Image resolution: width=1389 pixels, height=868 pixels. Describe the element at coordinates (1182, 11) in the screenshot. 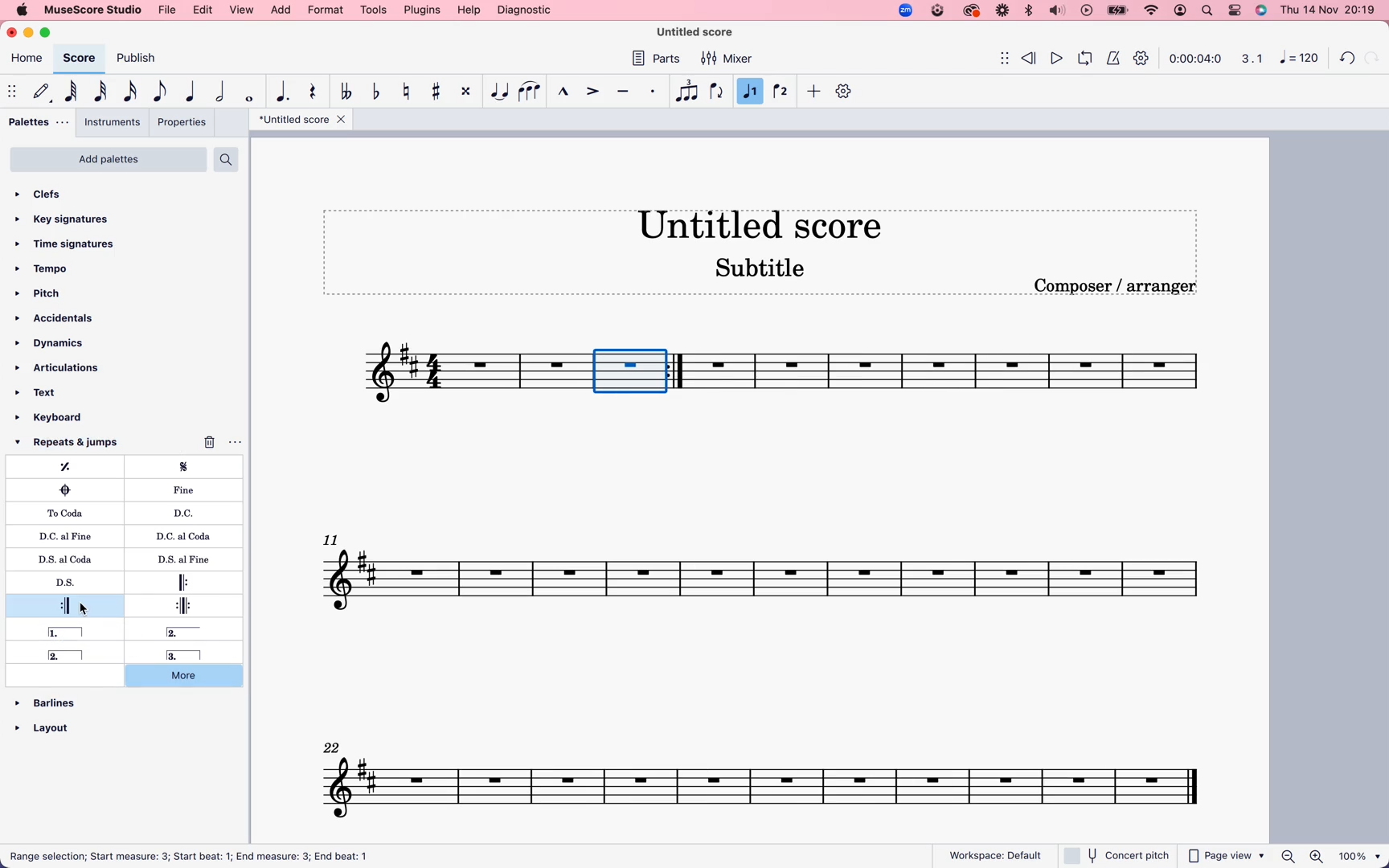

I see `profile` at that location.